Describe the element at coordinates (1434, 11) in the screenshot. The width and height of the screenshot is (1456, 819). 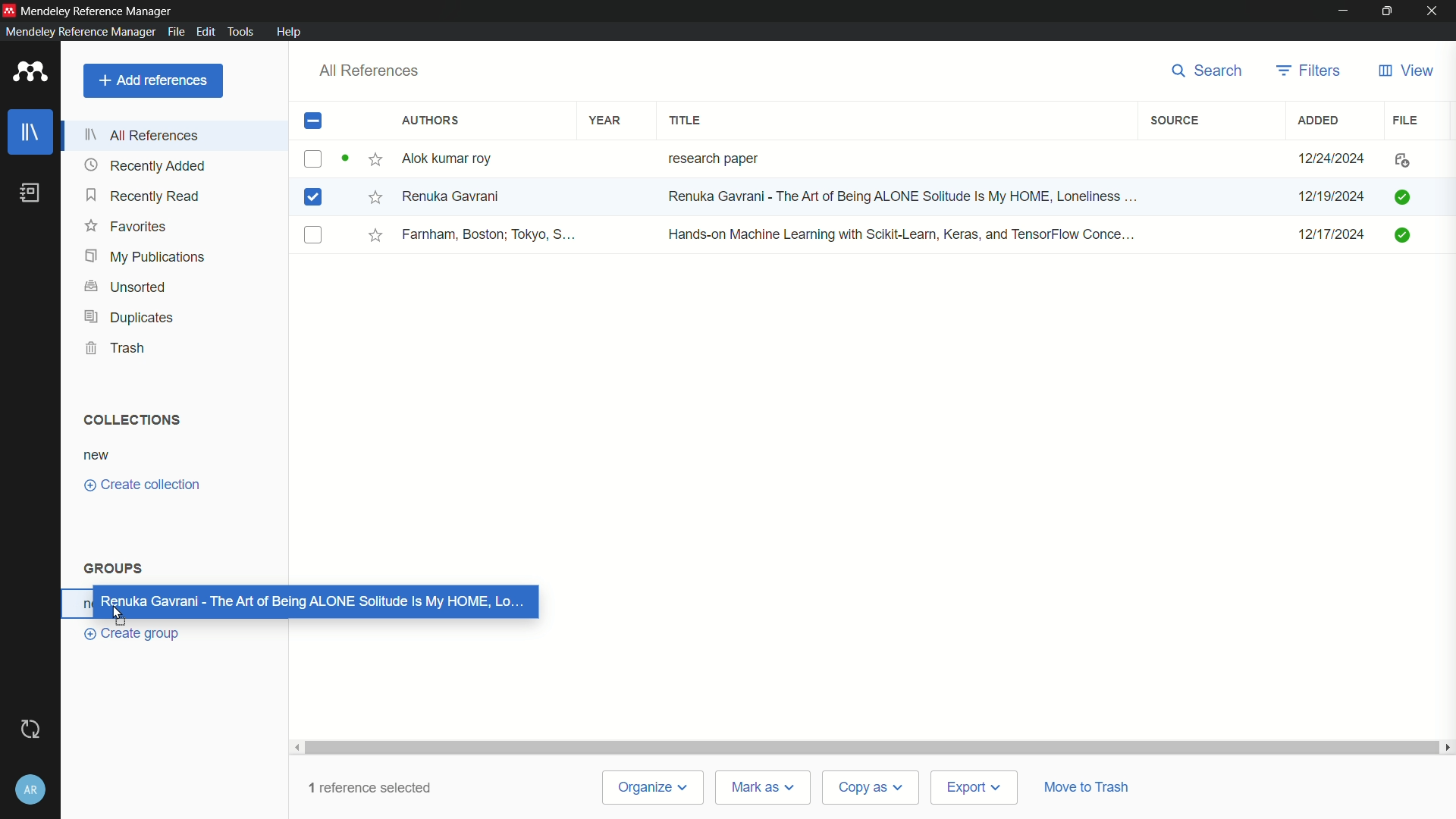
I see `close app` at that location.